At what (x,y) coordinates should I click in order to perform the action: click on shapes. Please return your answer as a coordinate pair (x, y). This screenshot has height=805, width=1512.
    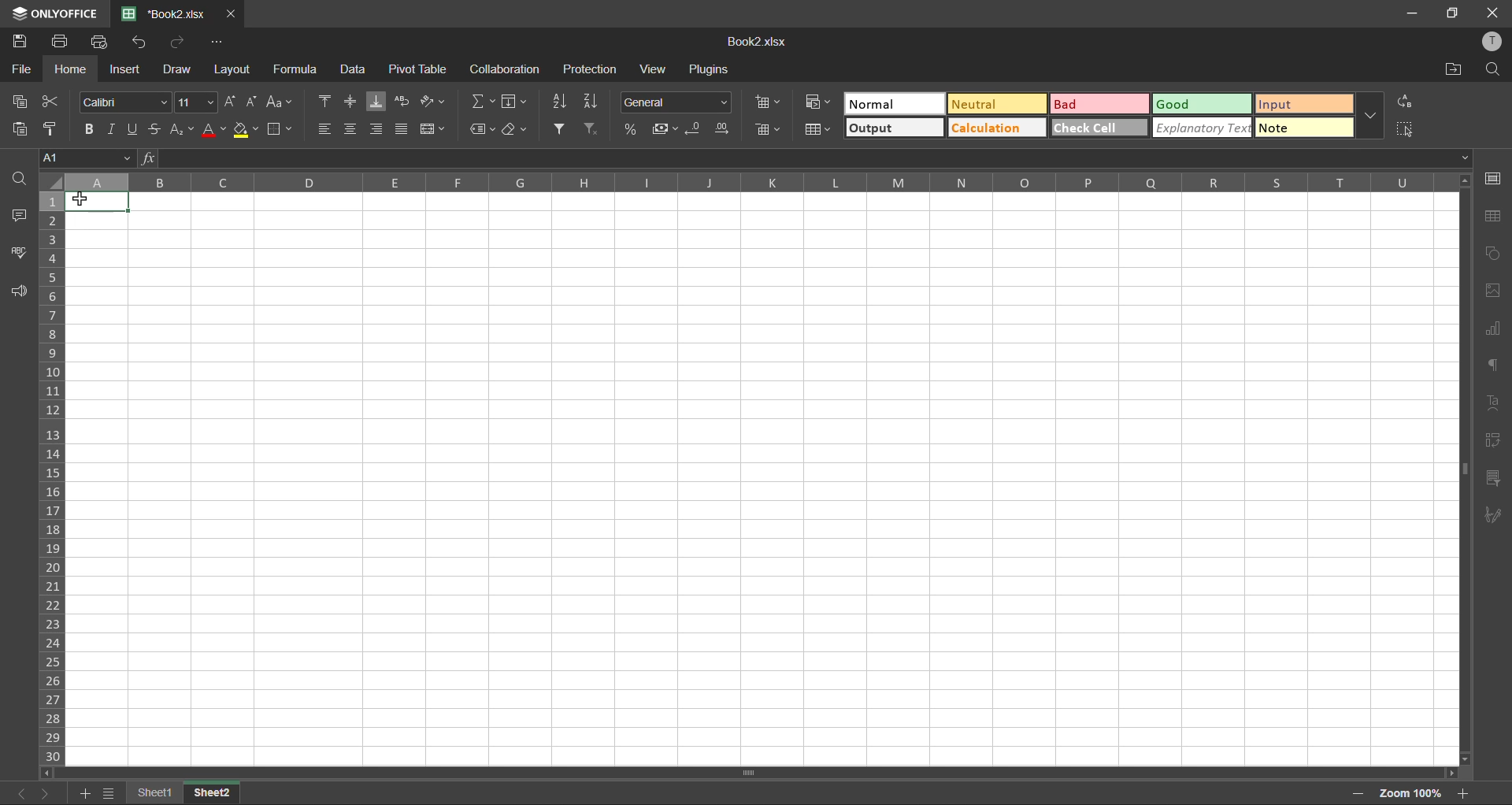
    Looking at the image, I should click on (1494, 254).